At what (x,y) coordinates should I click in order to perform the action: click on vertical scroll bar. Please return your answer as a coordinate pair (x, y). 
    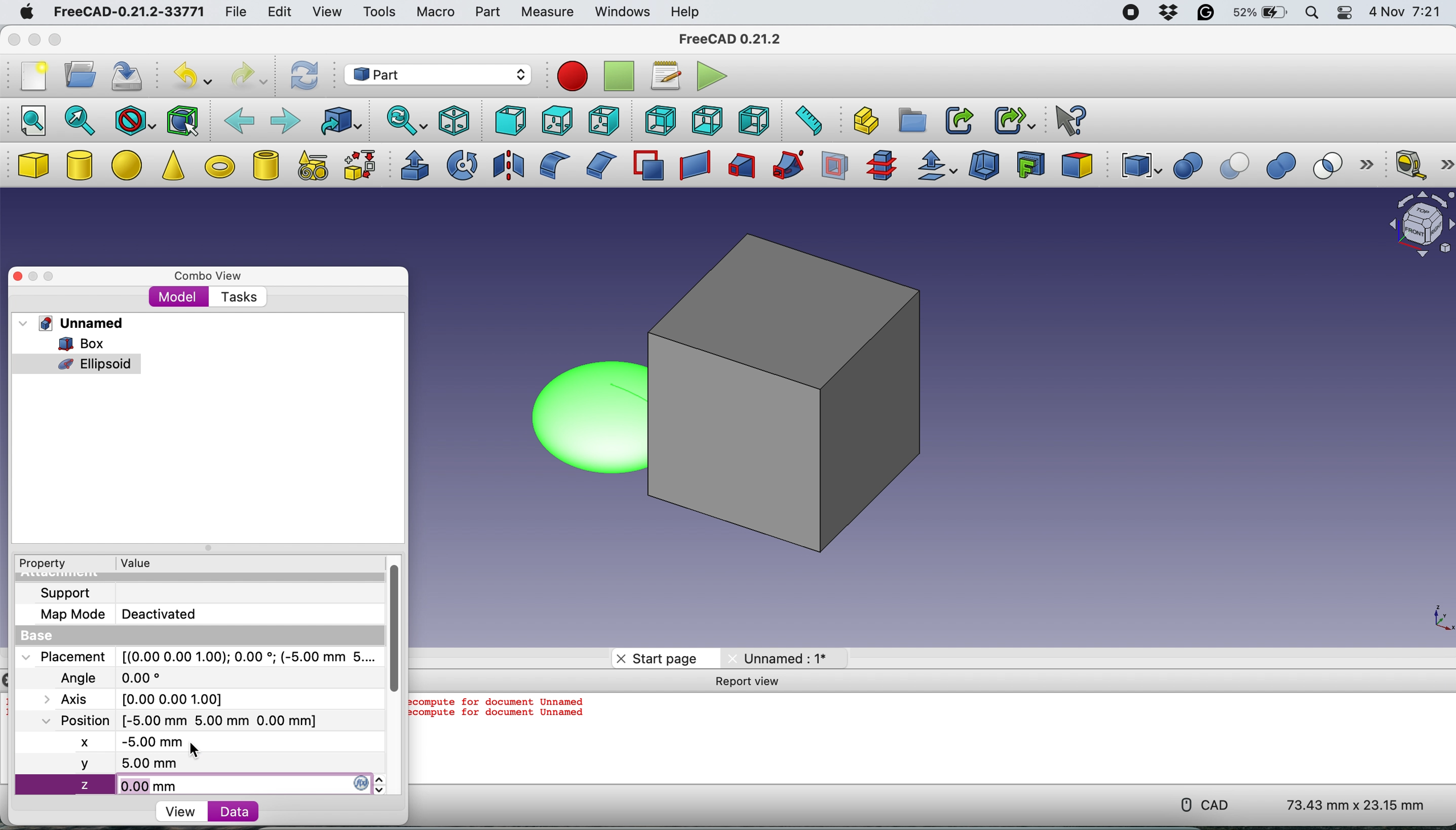
    Looking at the image, I should click on (390, 625).